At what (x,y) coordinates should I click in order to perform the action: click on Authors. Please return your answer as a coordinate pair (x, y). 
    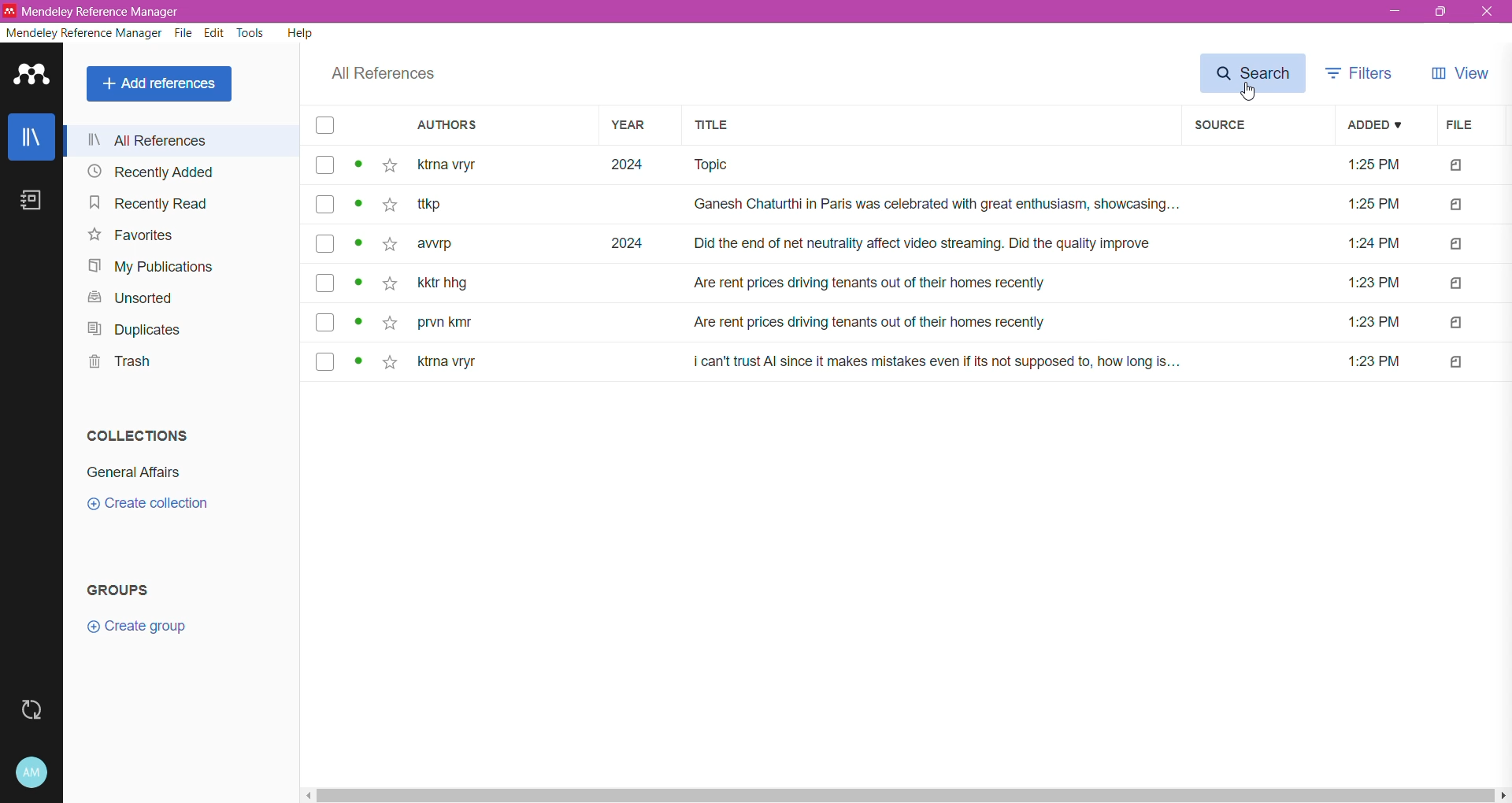
    Looking at the image, I should click on (491, 127).